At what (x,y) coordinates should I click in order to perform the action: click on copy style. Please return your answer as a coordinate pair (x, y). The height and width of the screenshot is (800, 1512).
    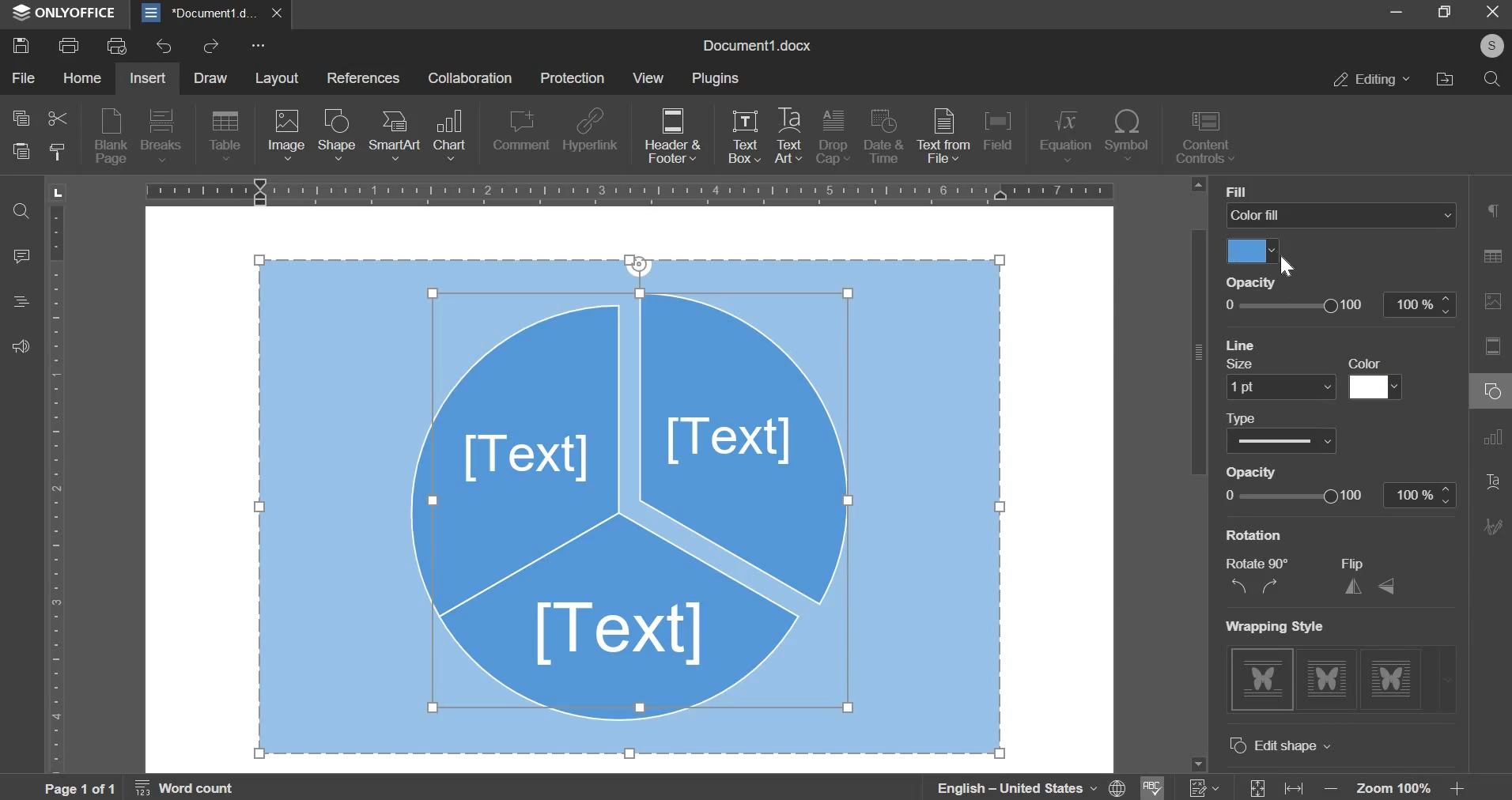
    Looking at the image, I should click on (60, 156).